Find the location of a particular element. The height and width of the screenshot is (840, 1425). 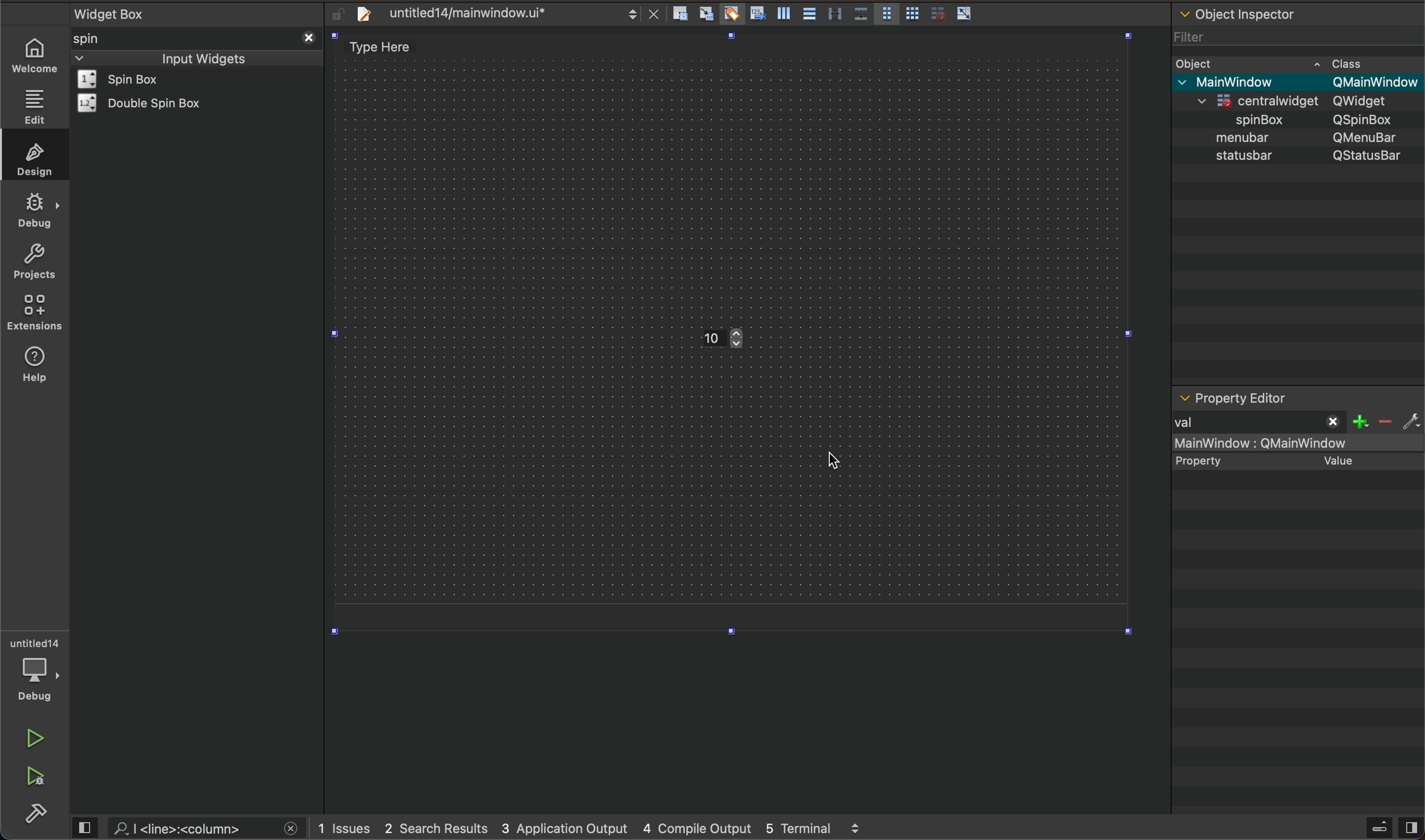

text is located at coordinates (1213, 460).